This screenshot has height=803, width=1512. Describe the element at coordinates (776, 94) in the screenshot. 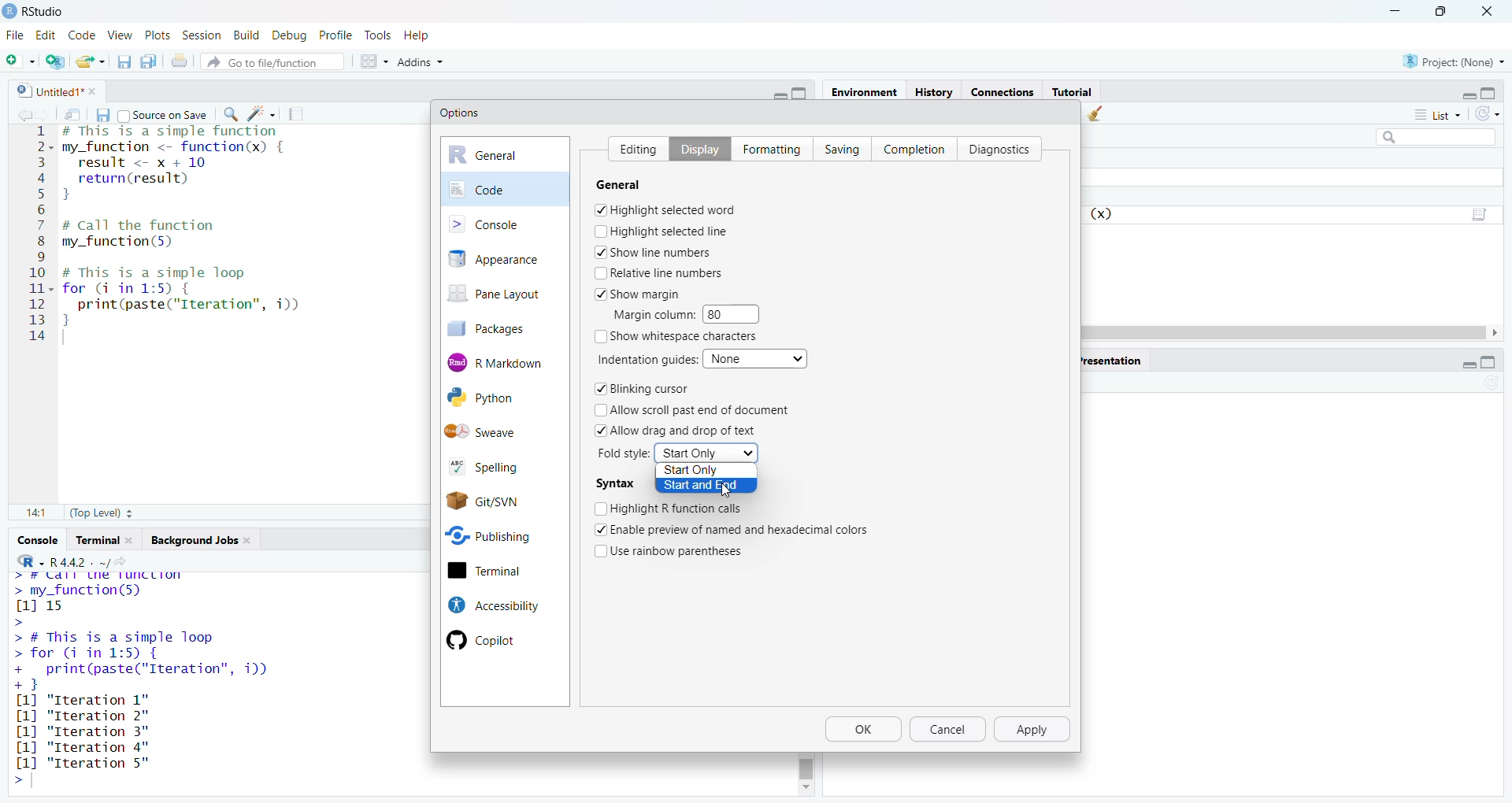

I see `minimize` at that location.